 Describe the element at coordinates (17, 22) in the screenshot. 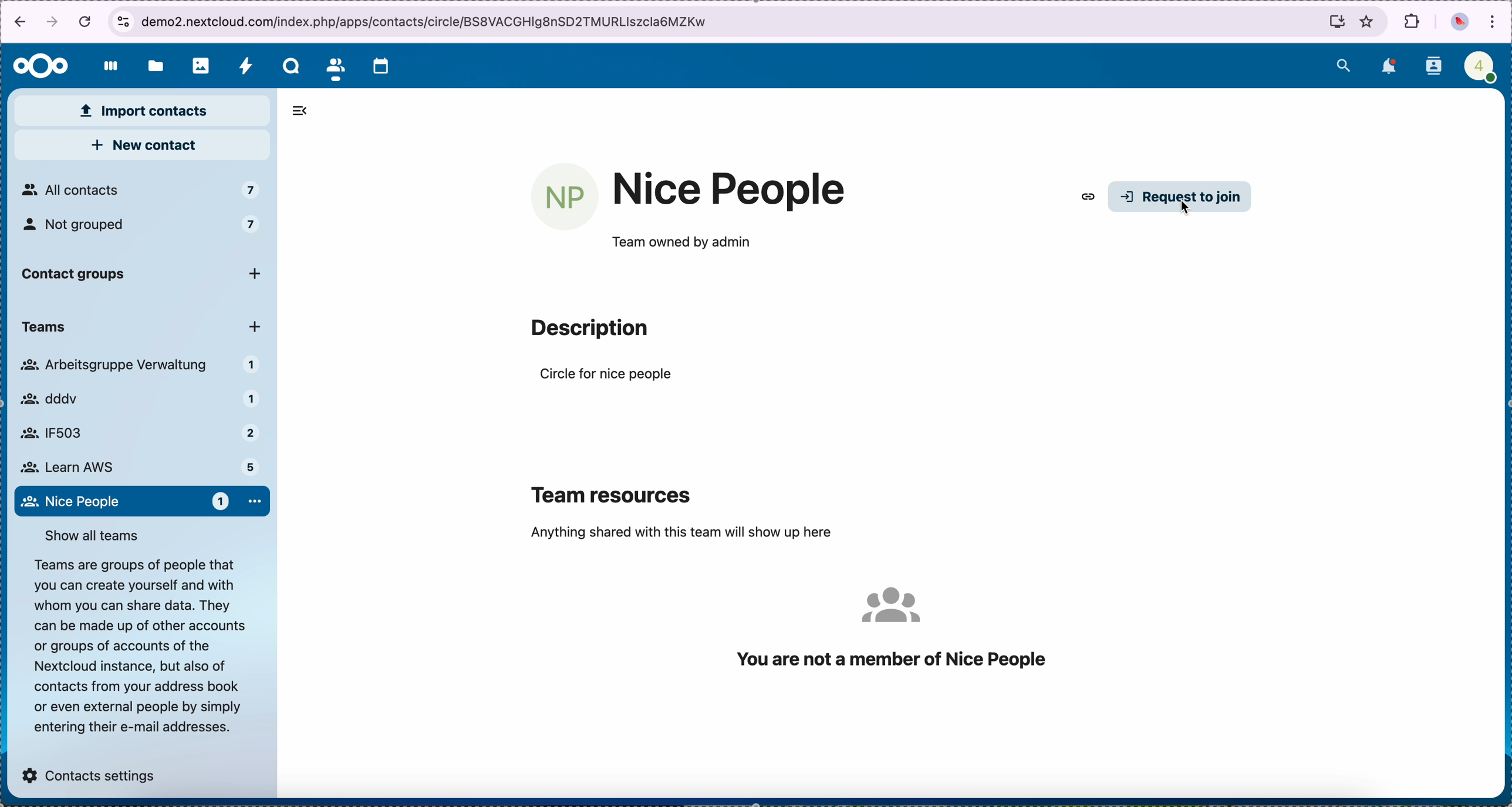

I see `navigate back` at that location.